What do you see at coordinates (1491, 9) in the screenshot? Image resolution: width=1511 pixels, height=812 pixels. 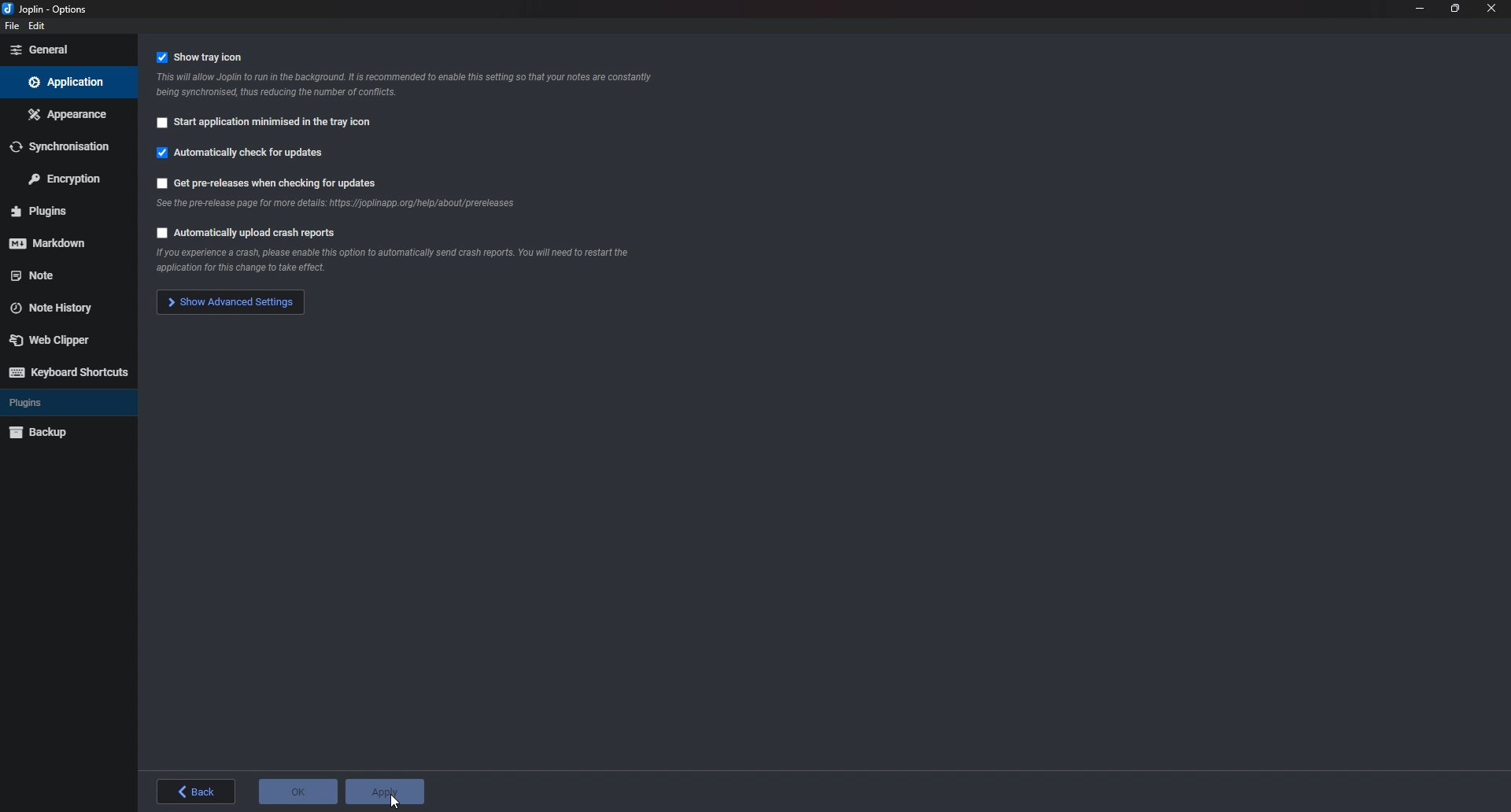 I see `close` at bounding box center [1491, 9].